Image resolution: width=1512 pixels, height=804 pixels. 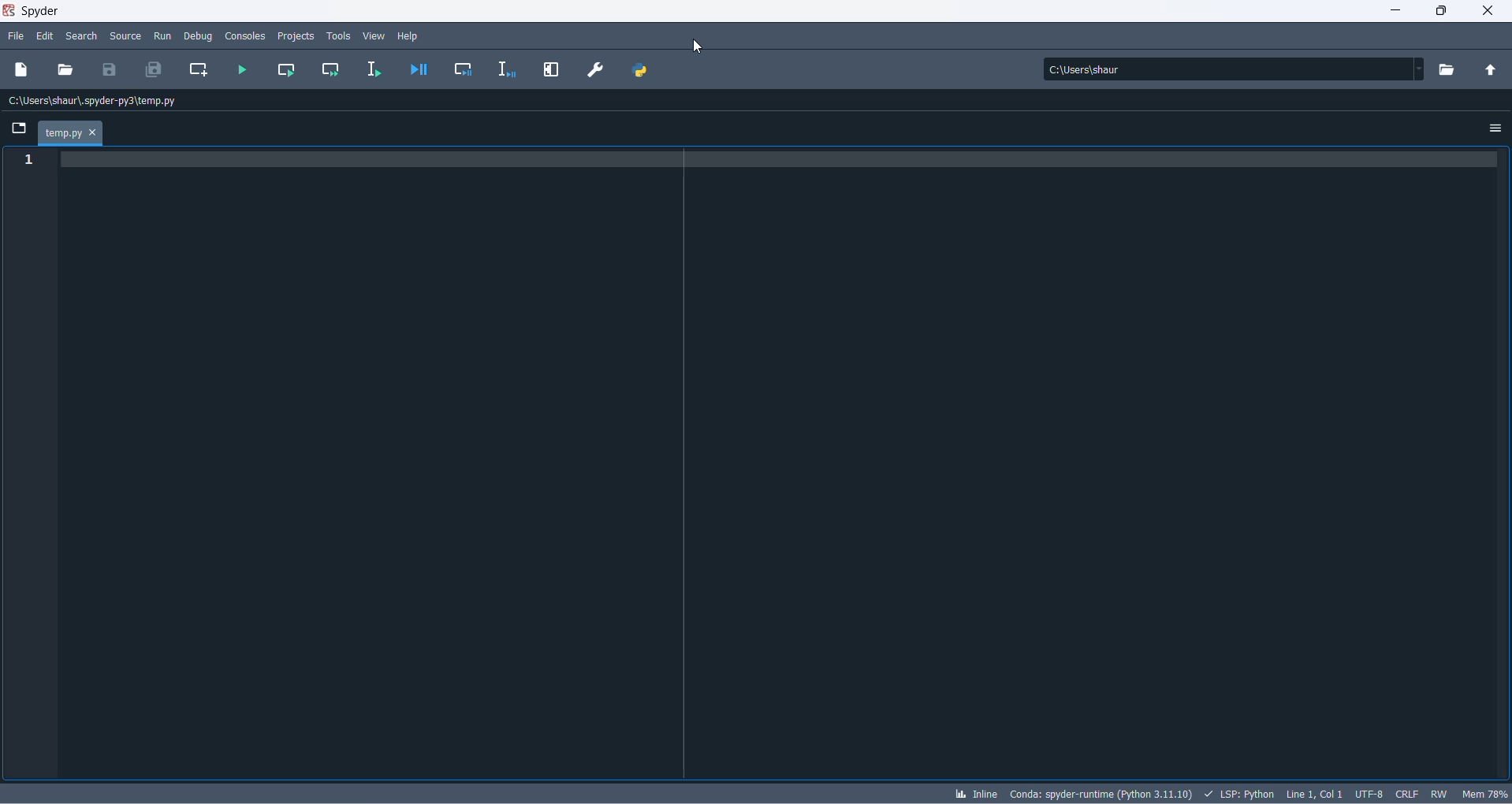 I want to click on edit, so click(x=46, y=36).